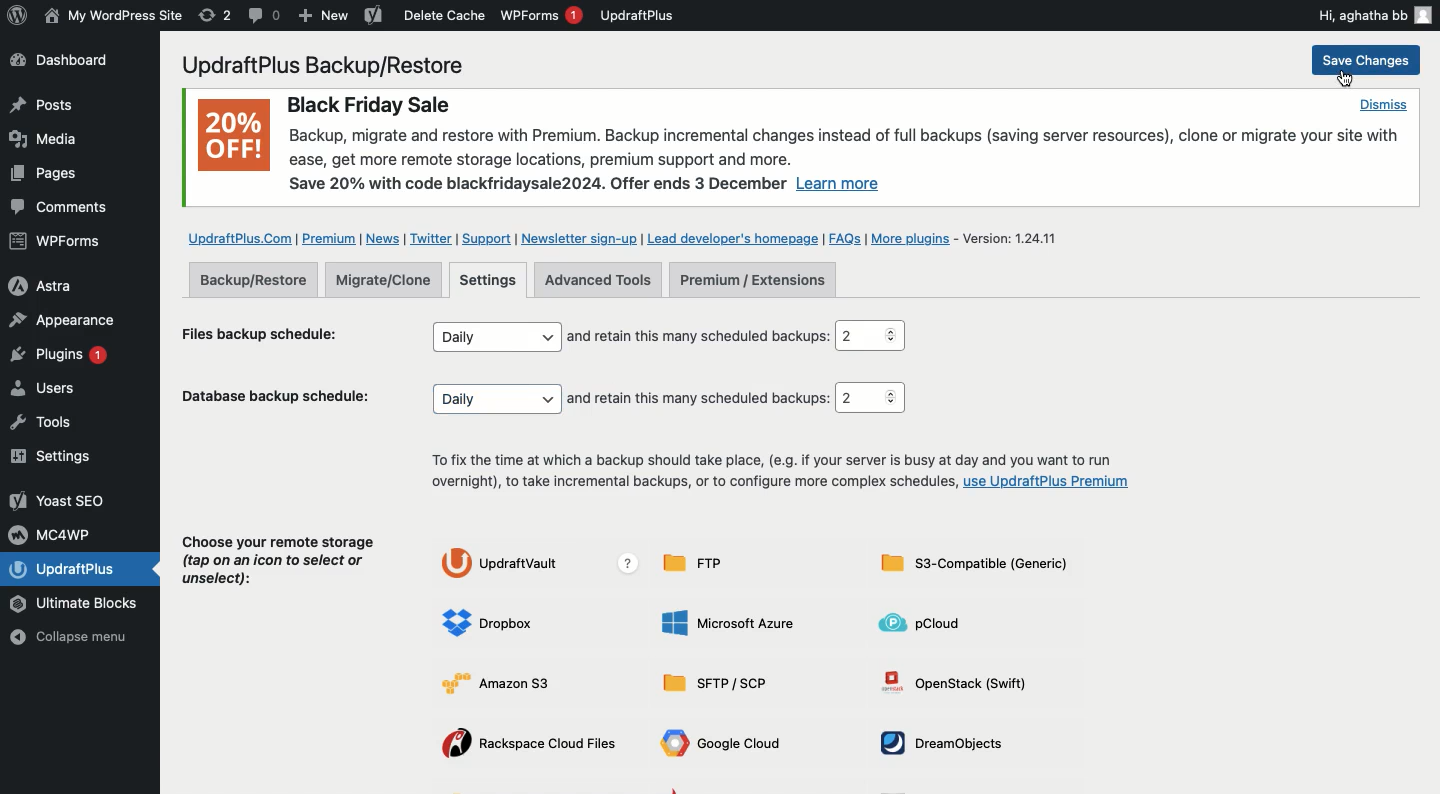 The width and height of the screenshot is (1440, 794). What do you see at coordinates (598, 280) in the screenshot?
I see `Advanced tools` at bounding box center [598, 280].